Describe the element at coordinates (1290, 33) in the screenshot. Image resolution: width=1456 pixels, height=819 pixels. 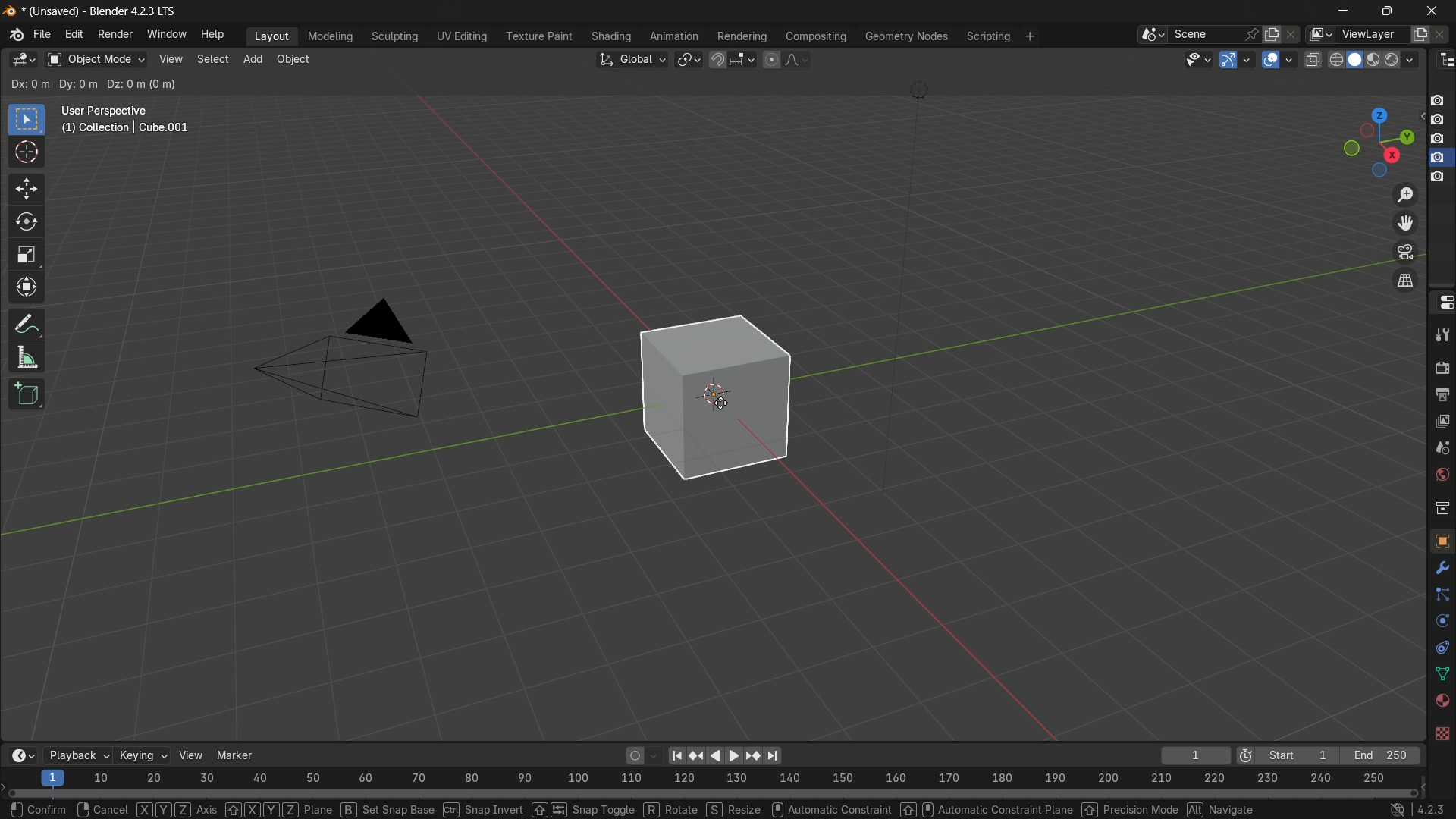
I see `delete scene` at that location.